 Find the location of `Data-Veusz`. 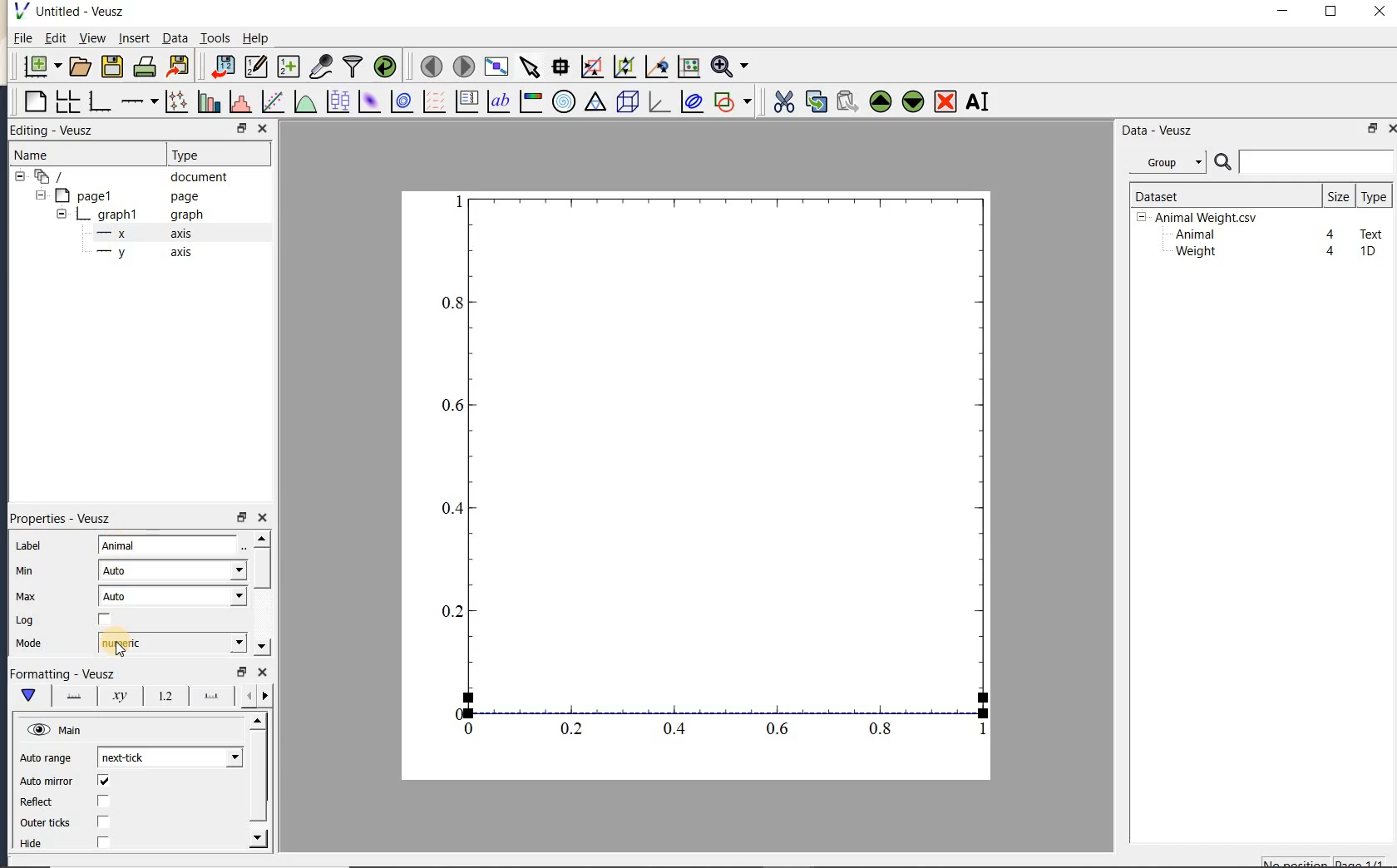

Data-Veusz is located at coordinates (1158, 131).